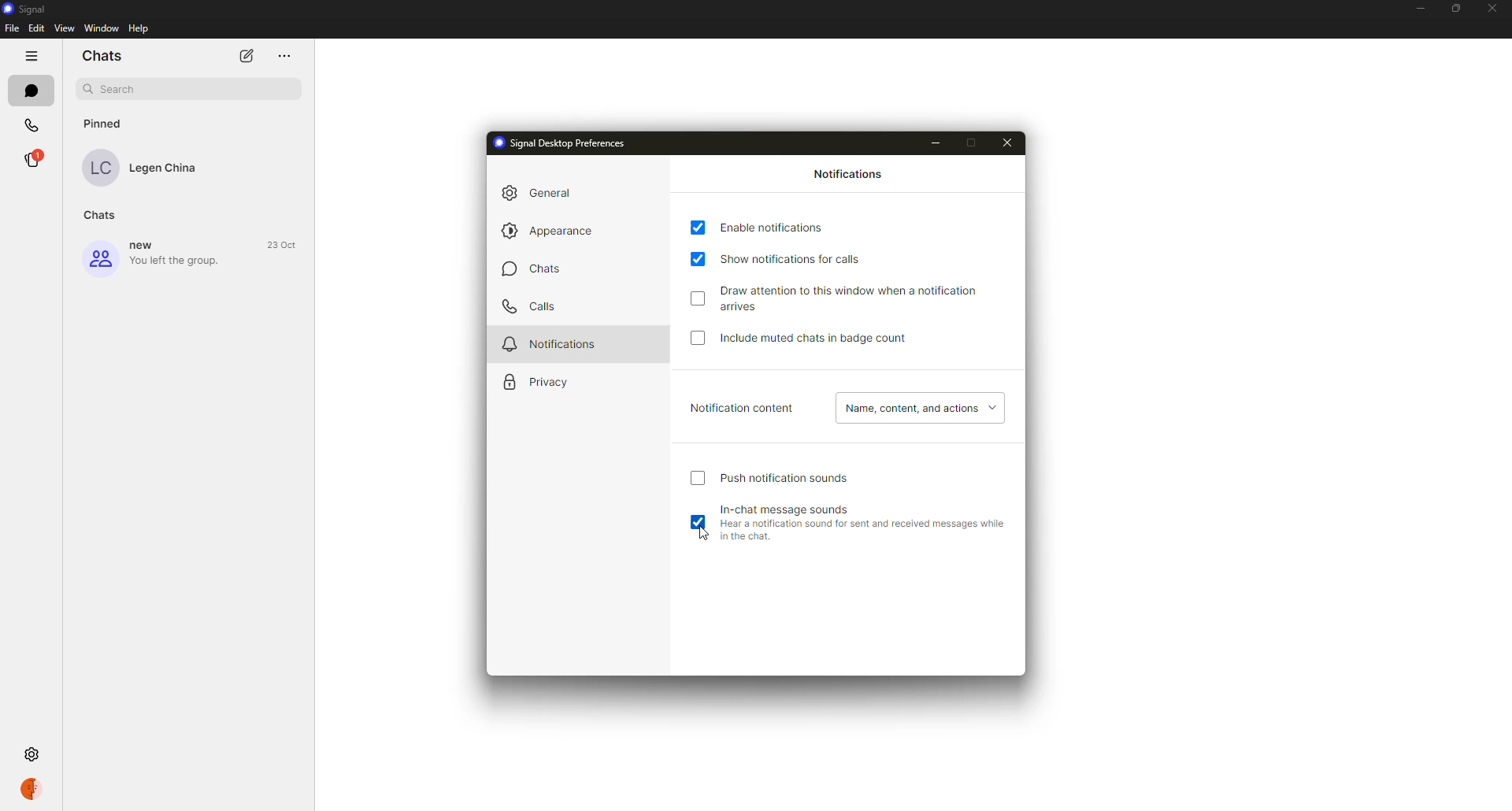 This screenshot has height=811, width=1512. What do you see at coordinates (862, 521) in the screenshot?
I see `in-chat message sounds` at bounding box center [862, 521].